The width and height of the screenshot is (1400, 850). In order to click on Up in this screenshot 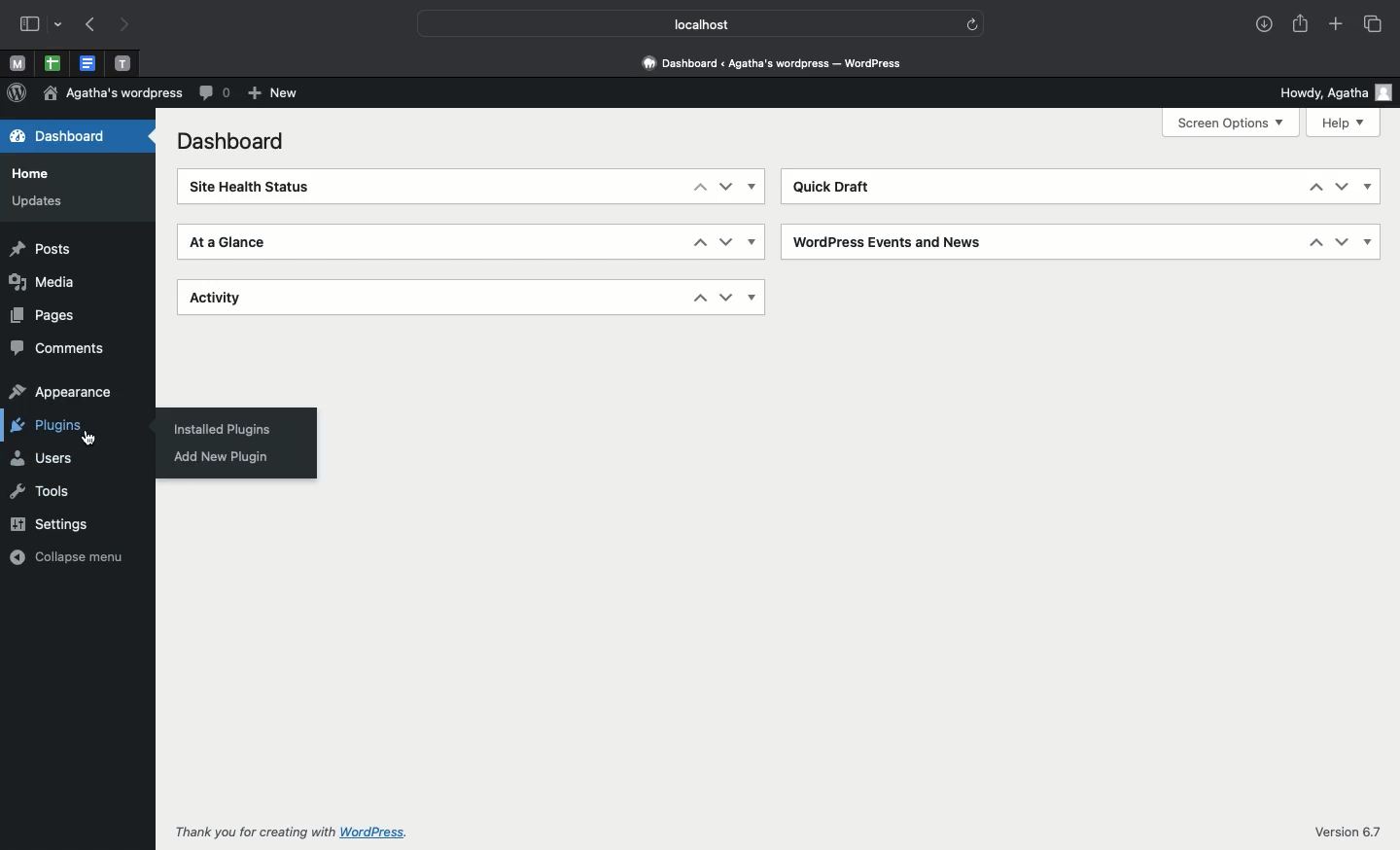, I will do `click(695, 241)`.